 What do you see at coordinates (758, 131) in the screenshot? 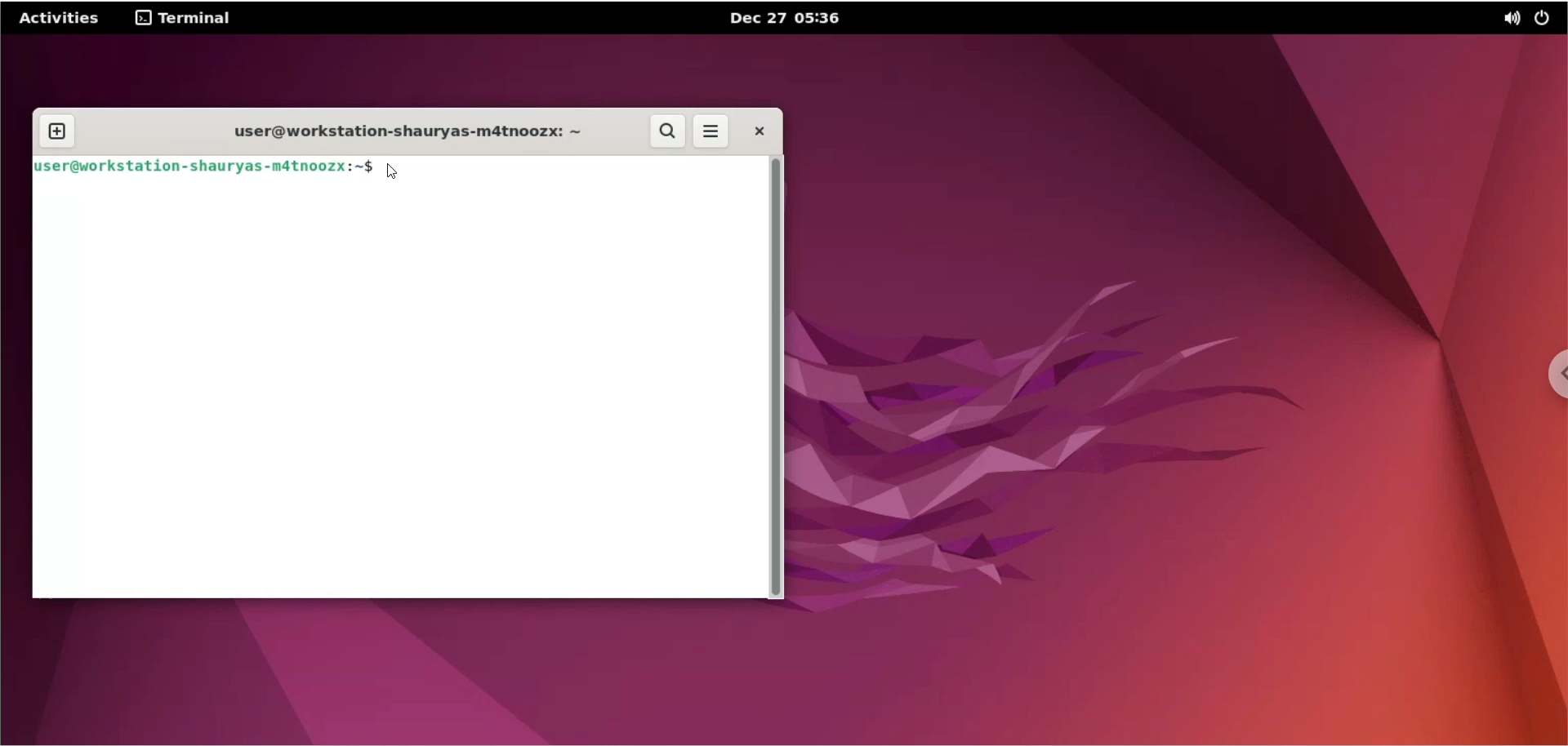
I see `Close` at bounding box center [758, 131].